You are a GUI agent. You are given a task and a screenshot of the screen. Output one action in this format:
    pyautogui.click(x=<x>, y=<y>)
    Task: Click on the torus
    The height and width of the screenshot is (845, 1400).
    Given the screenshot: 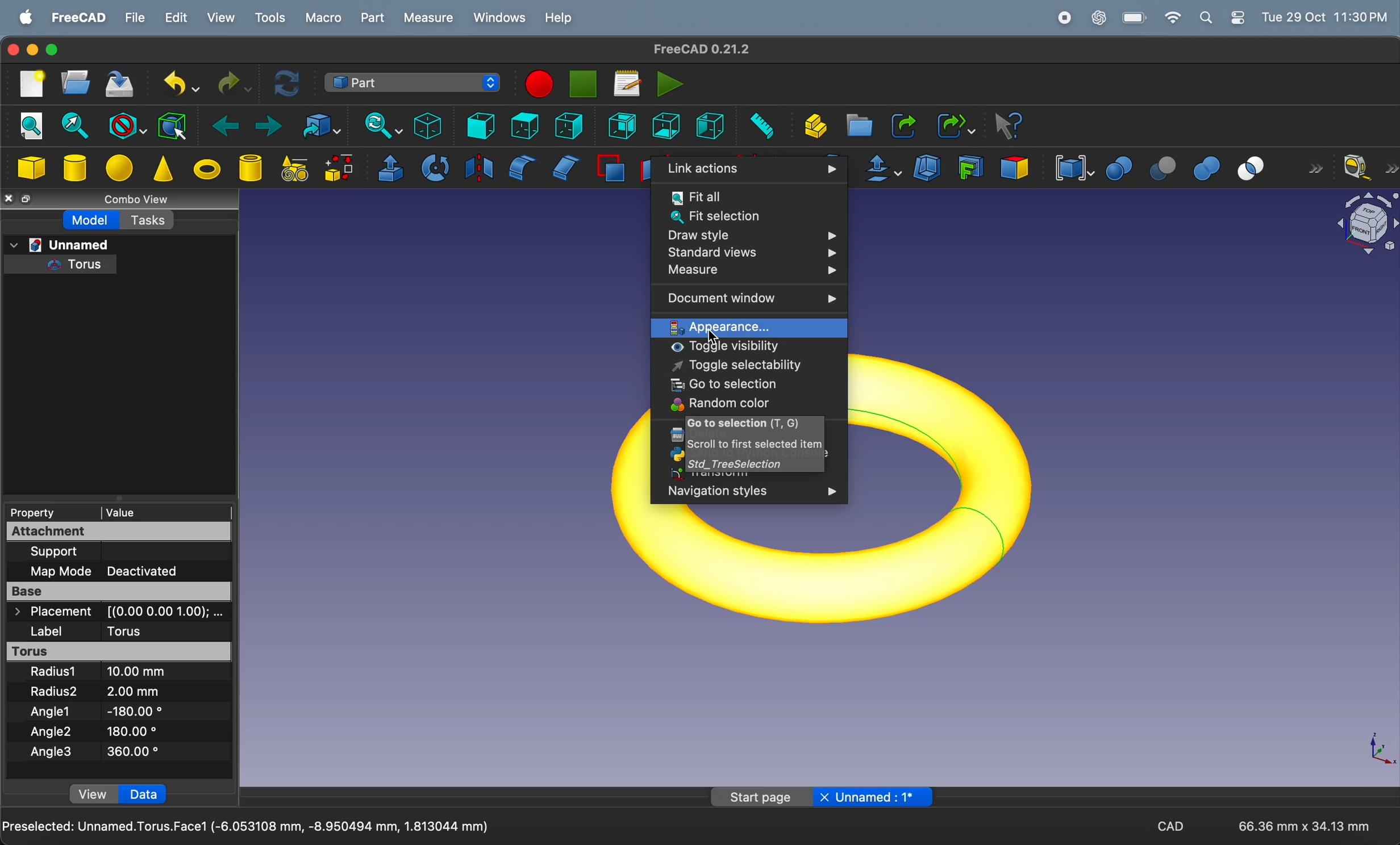 What is the action you would take?
    pyautogui.click(x=208, y=171)
    